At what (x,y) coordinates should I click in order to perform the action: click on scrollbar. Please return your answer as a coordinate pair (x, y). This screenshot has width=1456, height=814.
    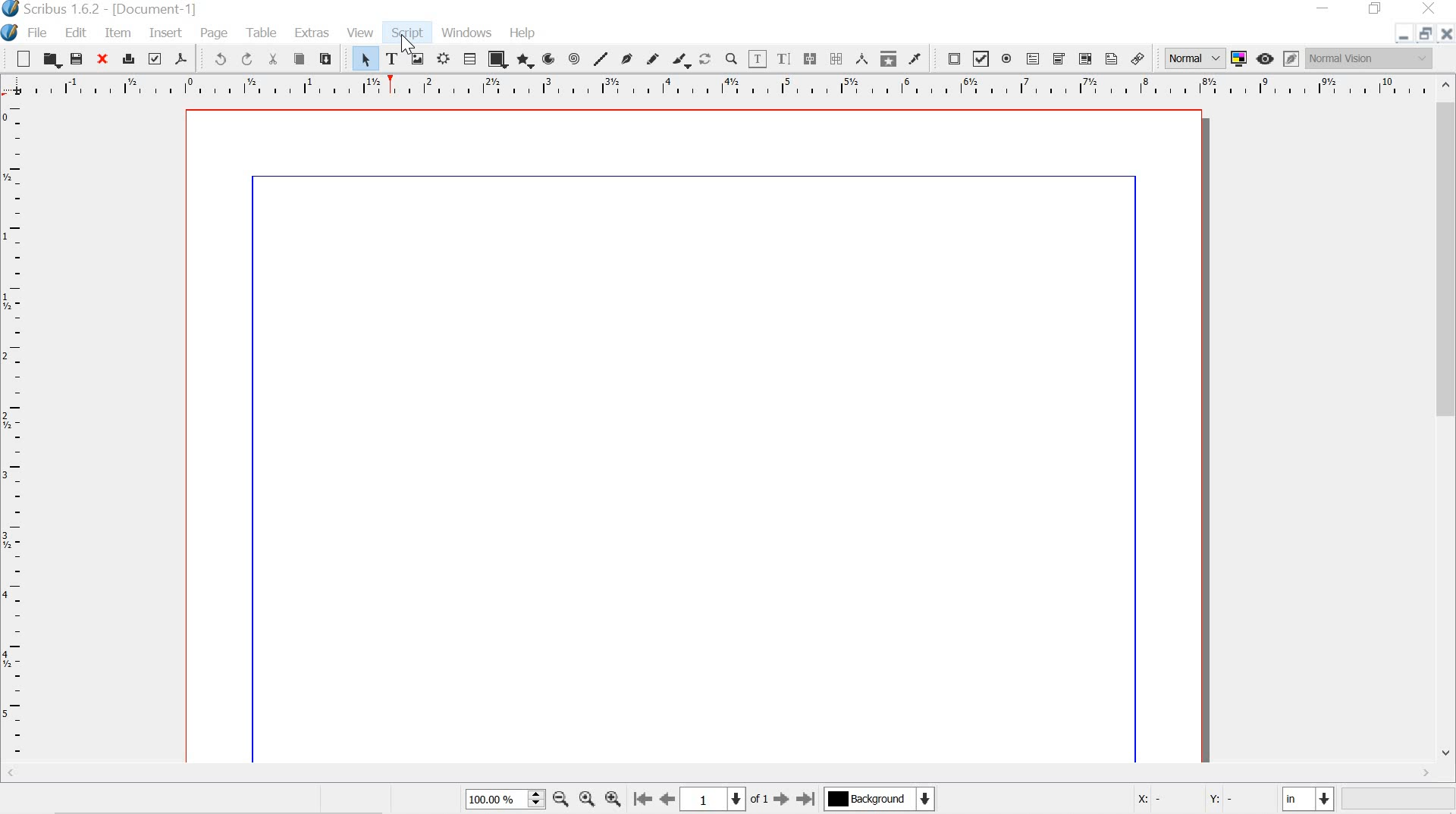
    Looking at the image, I should click on (714, 774).